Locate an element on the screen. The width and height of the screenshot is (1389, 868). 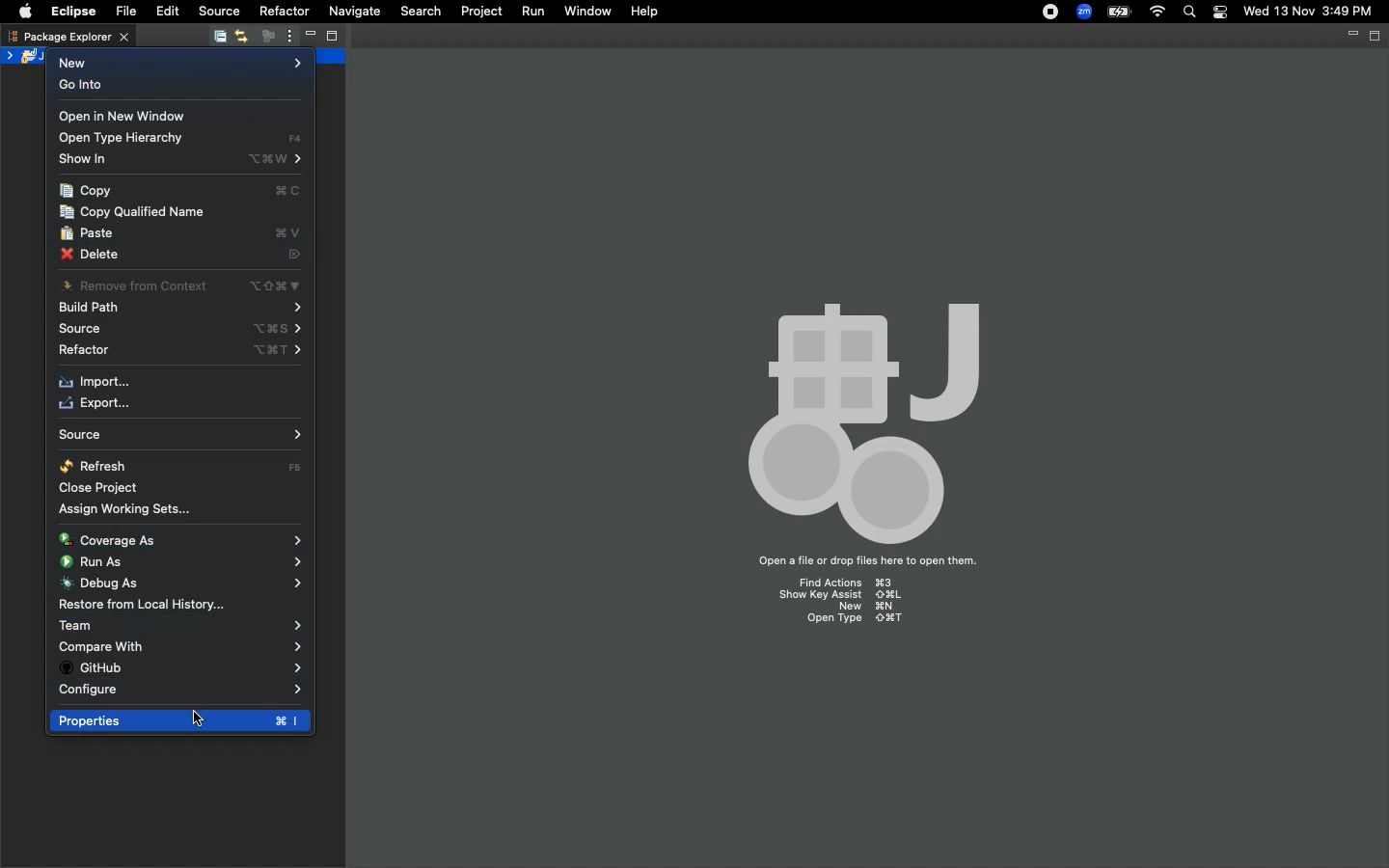
Edit is located at coordinates (168, 11).